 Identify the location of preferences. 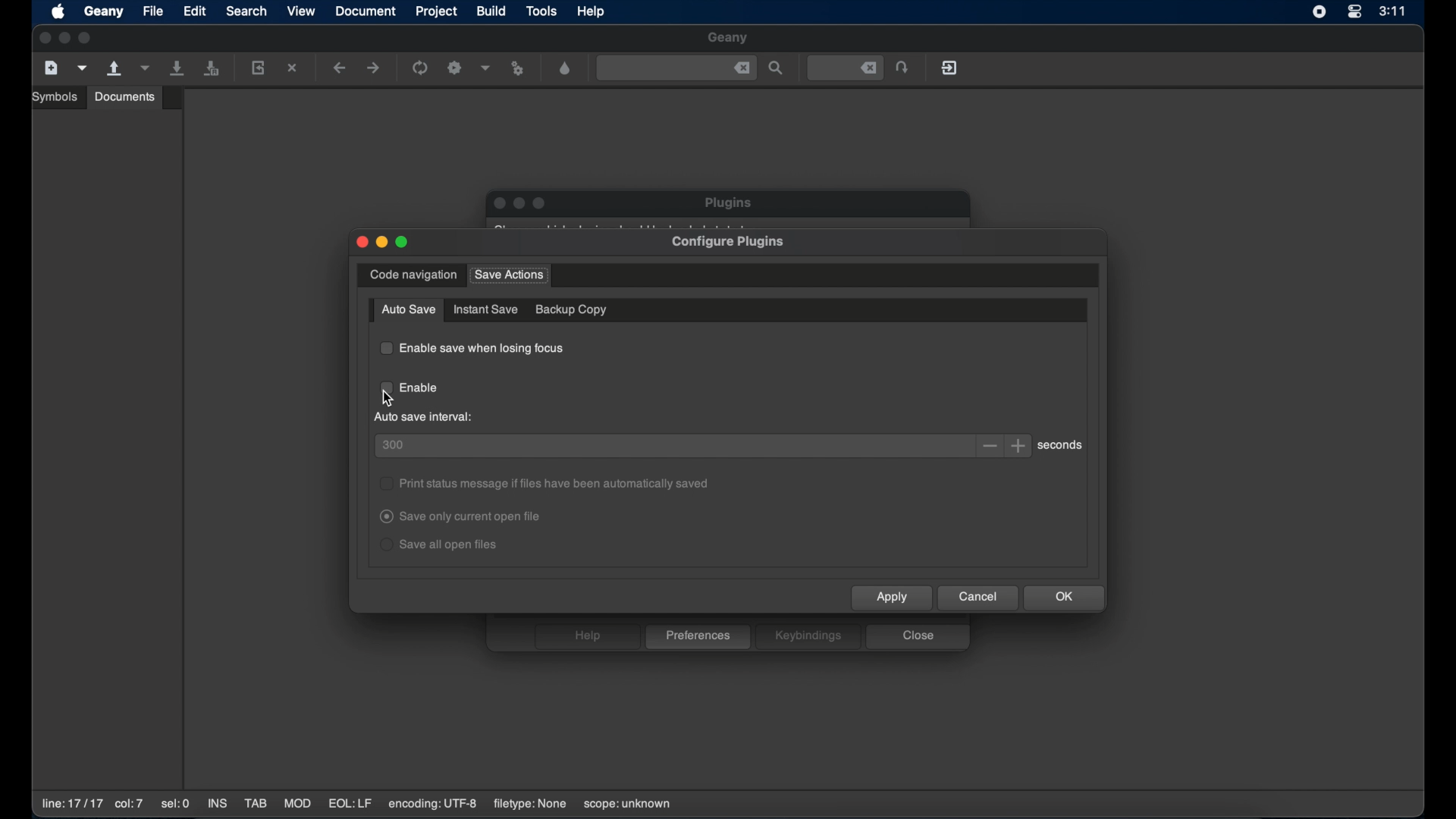
(698, 637).